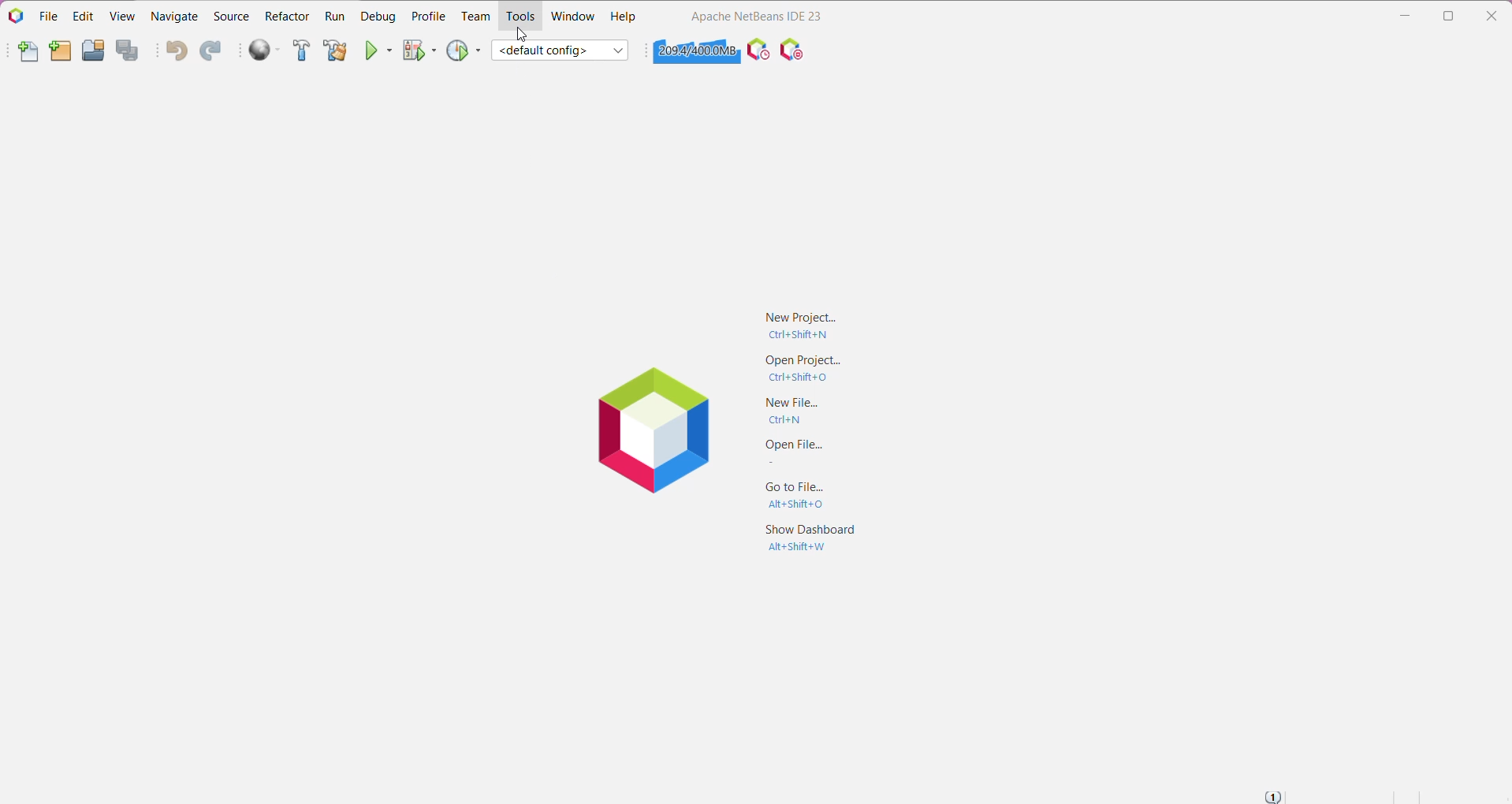 The image size is (1512, 804). I want to click on open projects..., so click(805, 368).